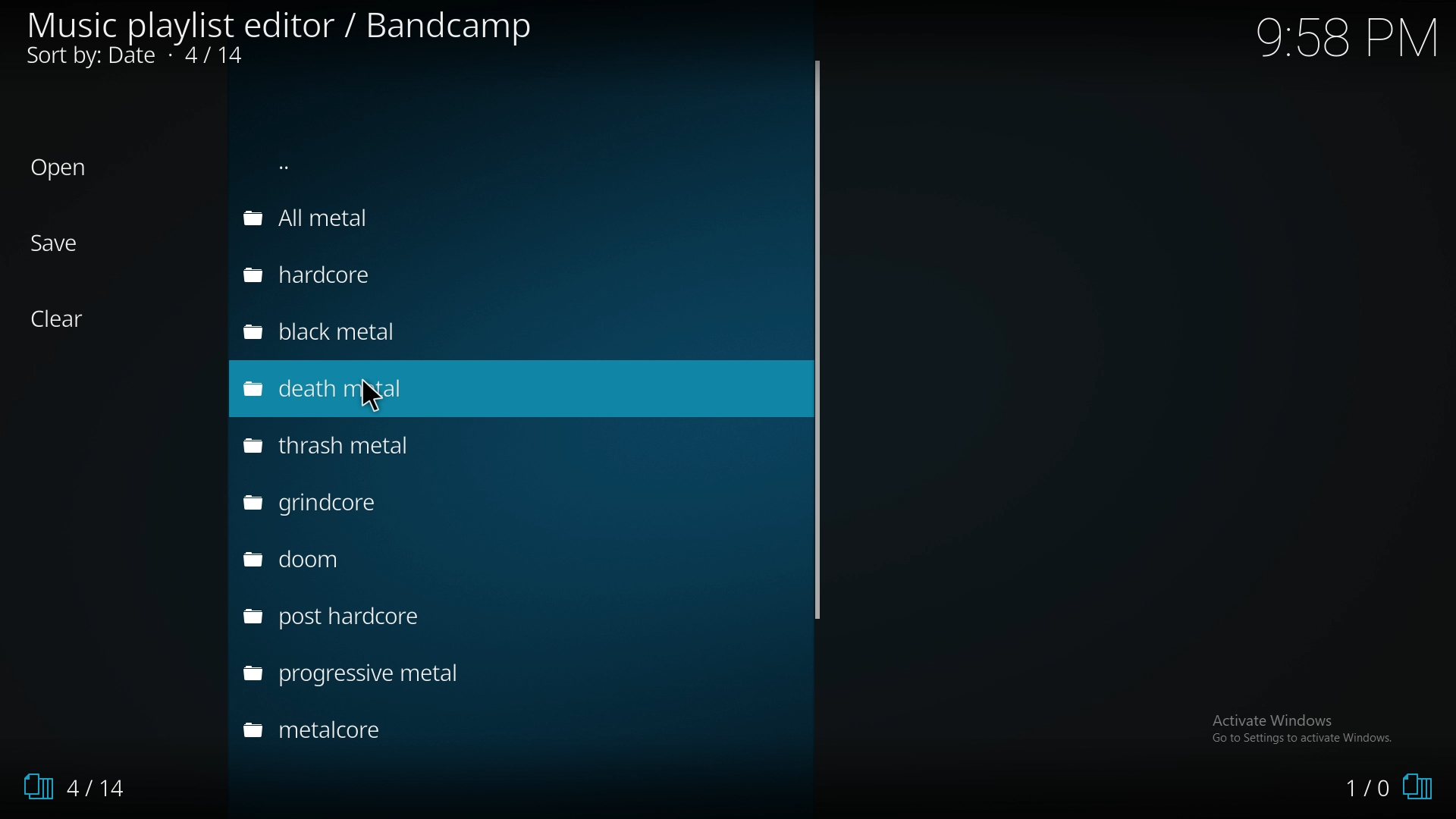 The height and width of the screenshot is (819, 1456). I want to click on music genre, so click(378, 390).